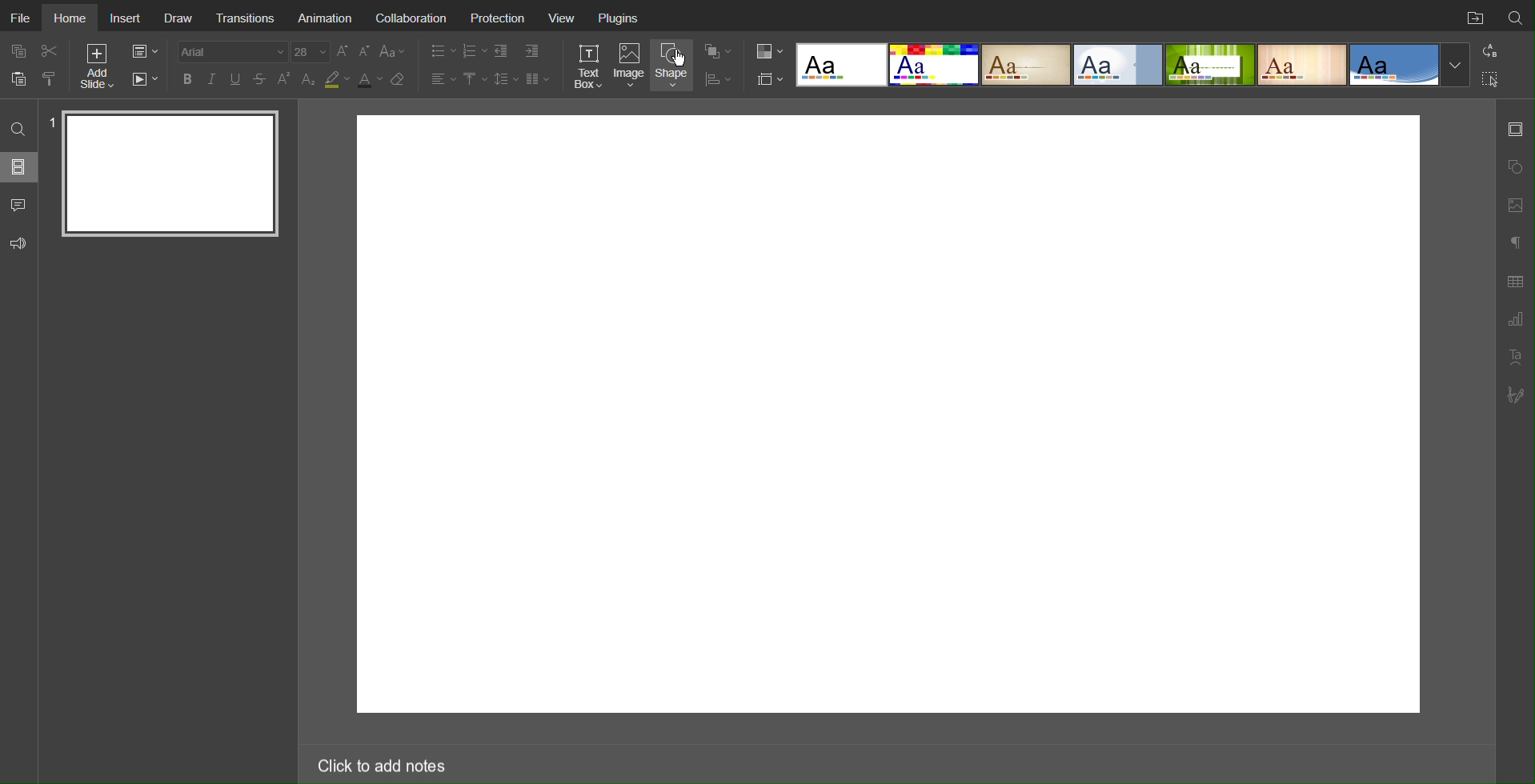  Describe the element at coordinates (1515, 320) in the screenshot. I see `Paragraph Settings` at that location.